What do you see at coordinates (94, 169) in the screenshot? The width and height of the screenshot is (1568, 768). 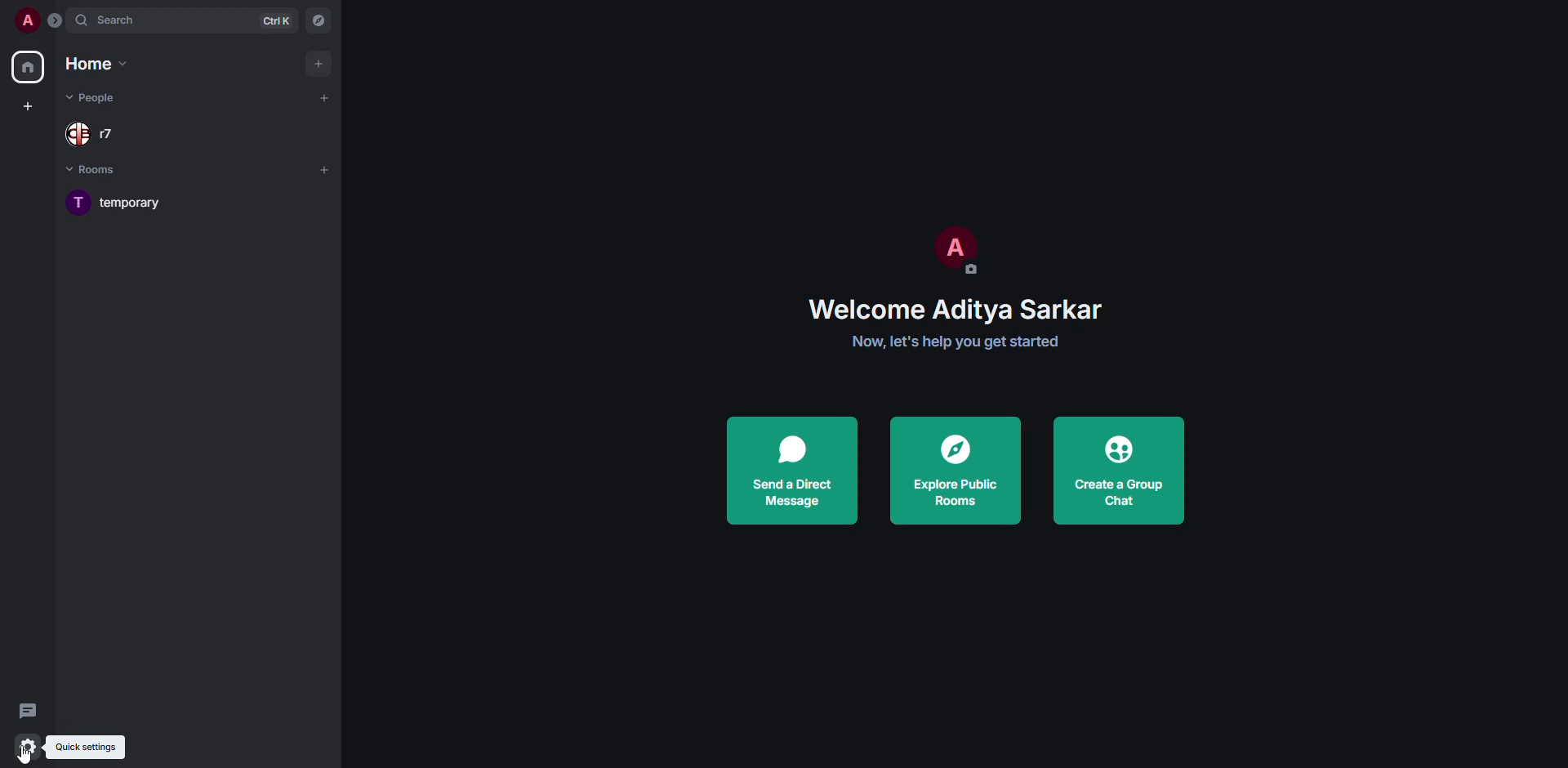 I see `rooms` at bounding box center [94, 169].